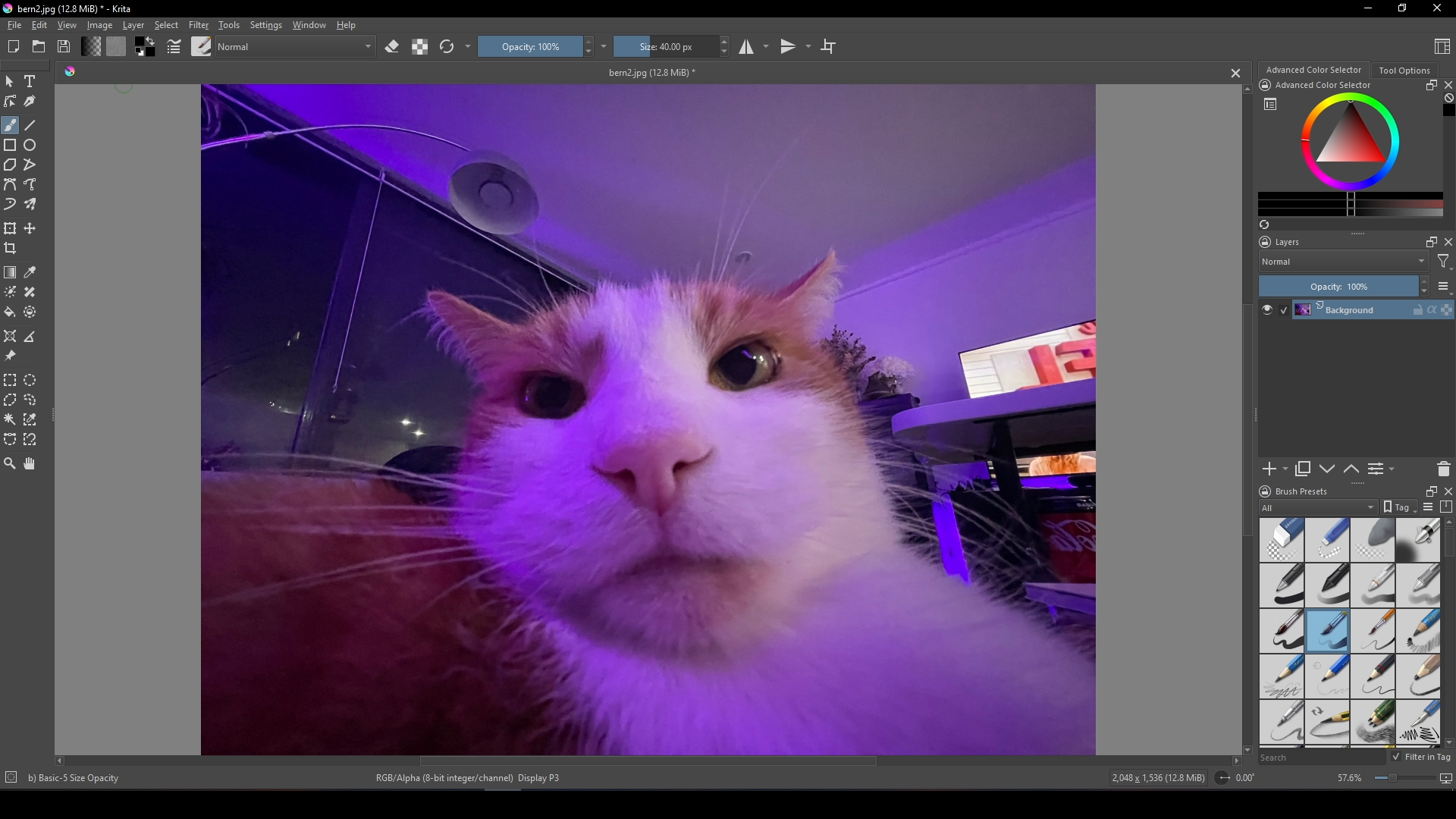  What do you see at coordinates (1314, 69) in the screenshot?
I see `Advanced color selector` at bounding box center [1314, 69].